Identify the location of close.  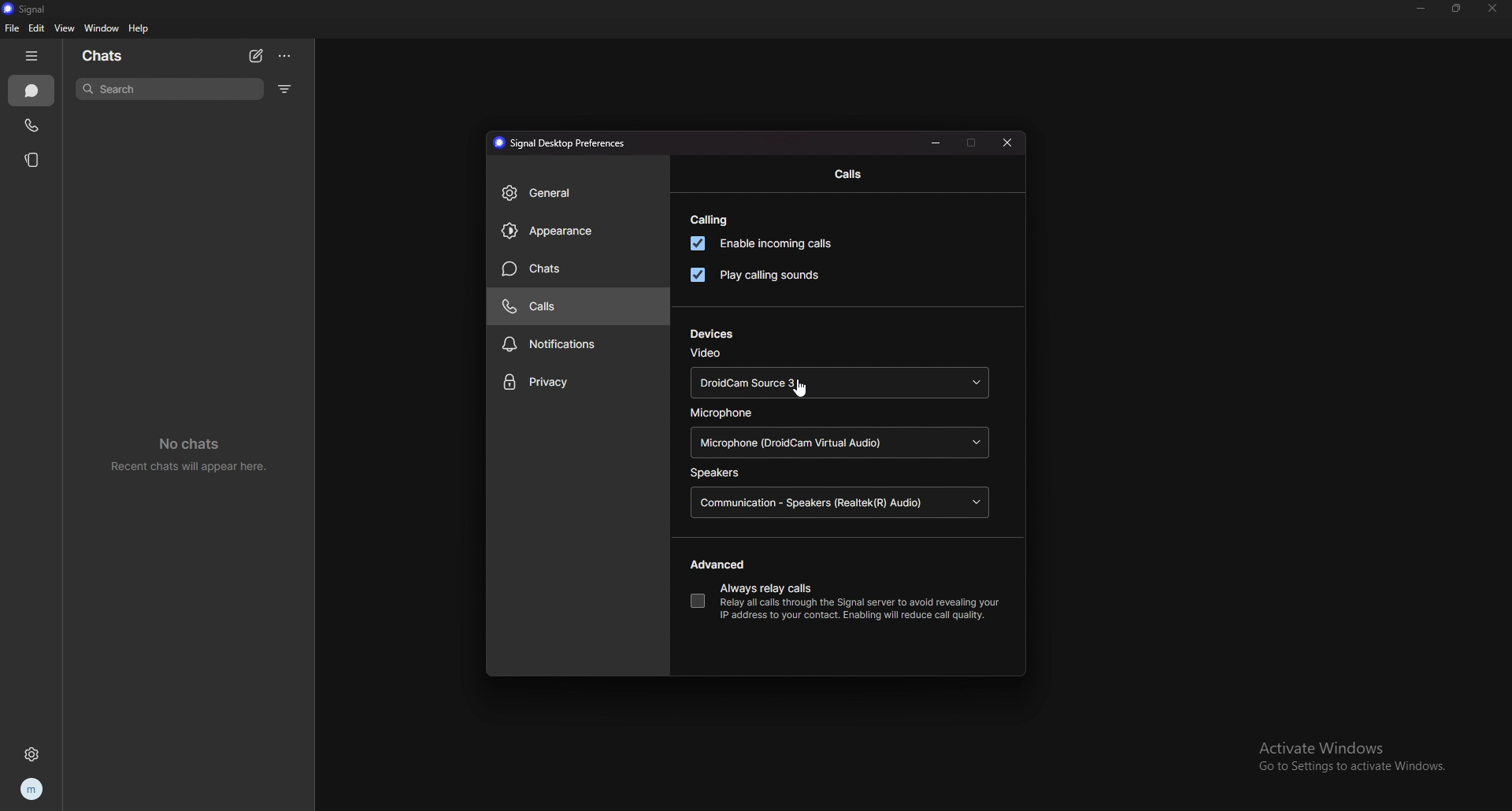
(1010, 141).